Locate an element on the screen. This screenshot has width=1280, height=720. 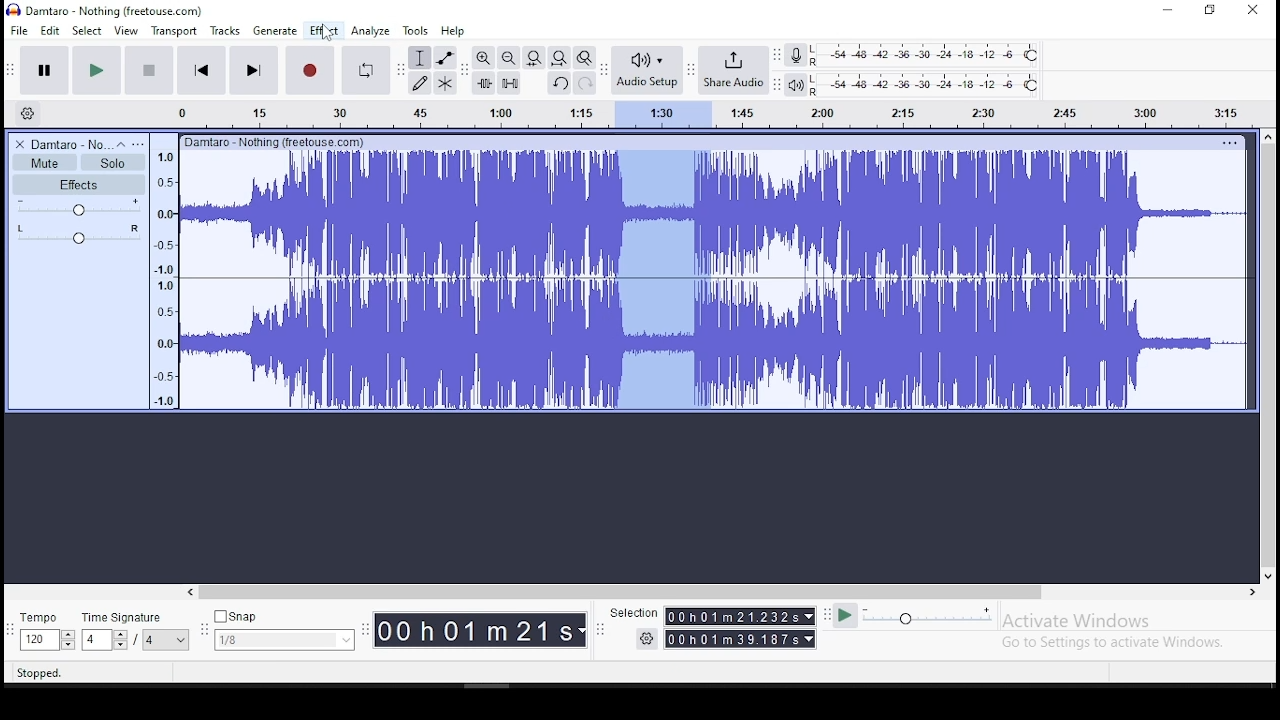
drop down is located at coordinates (344, 640).